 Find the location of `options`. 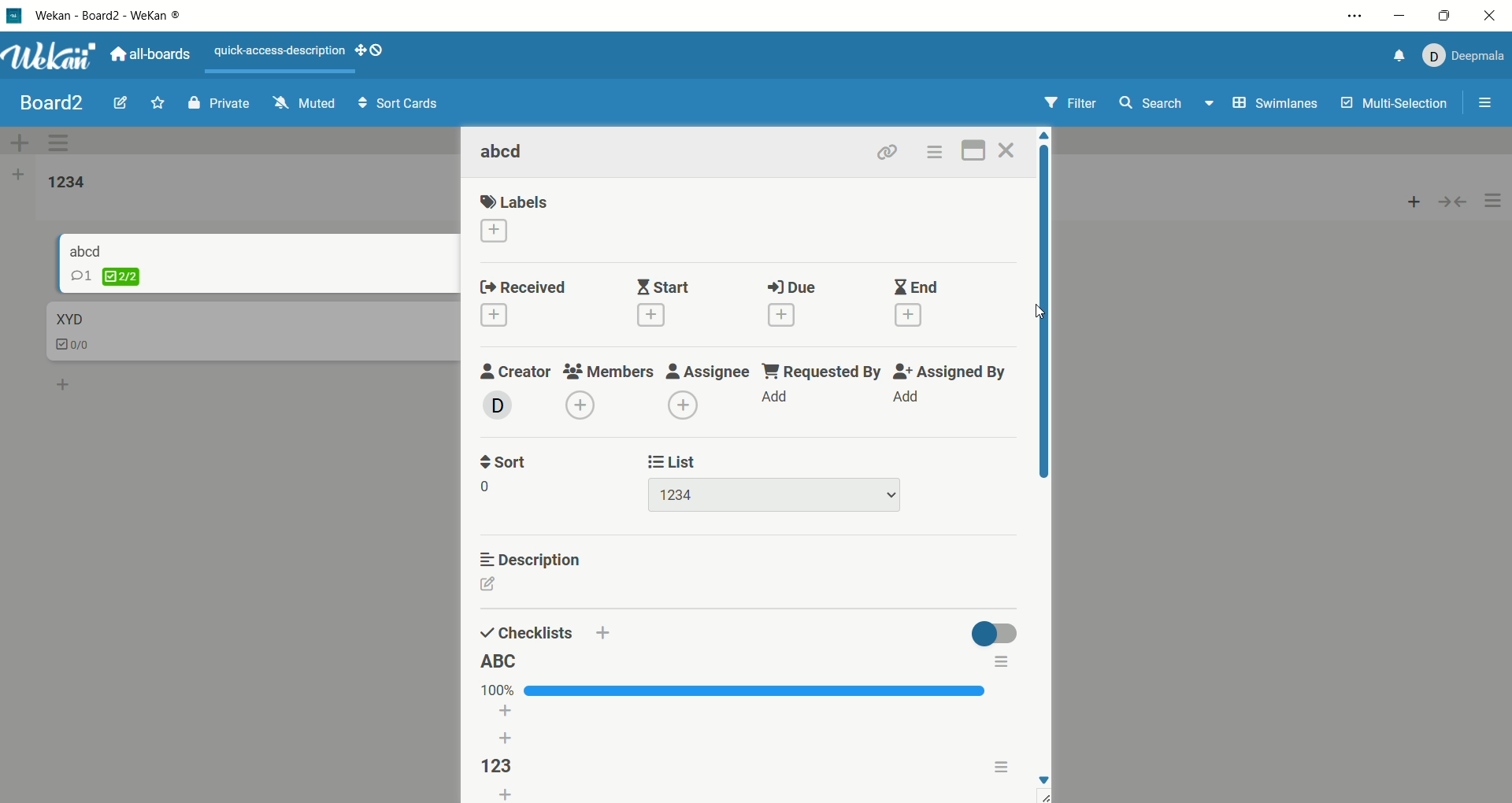

options is located at coordinates (999, 664).